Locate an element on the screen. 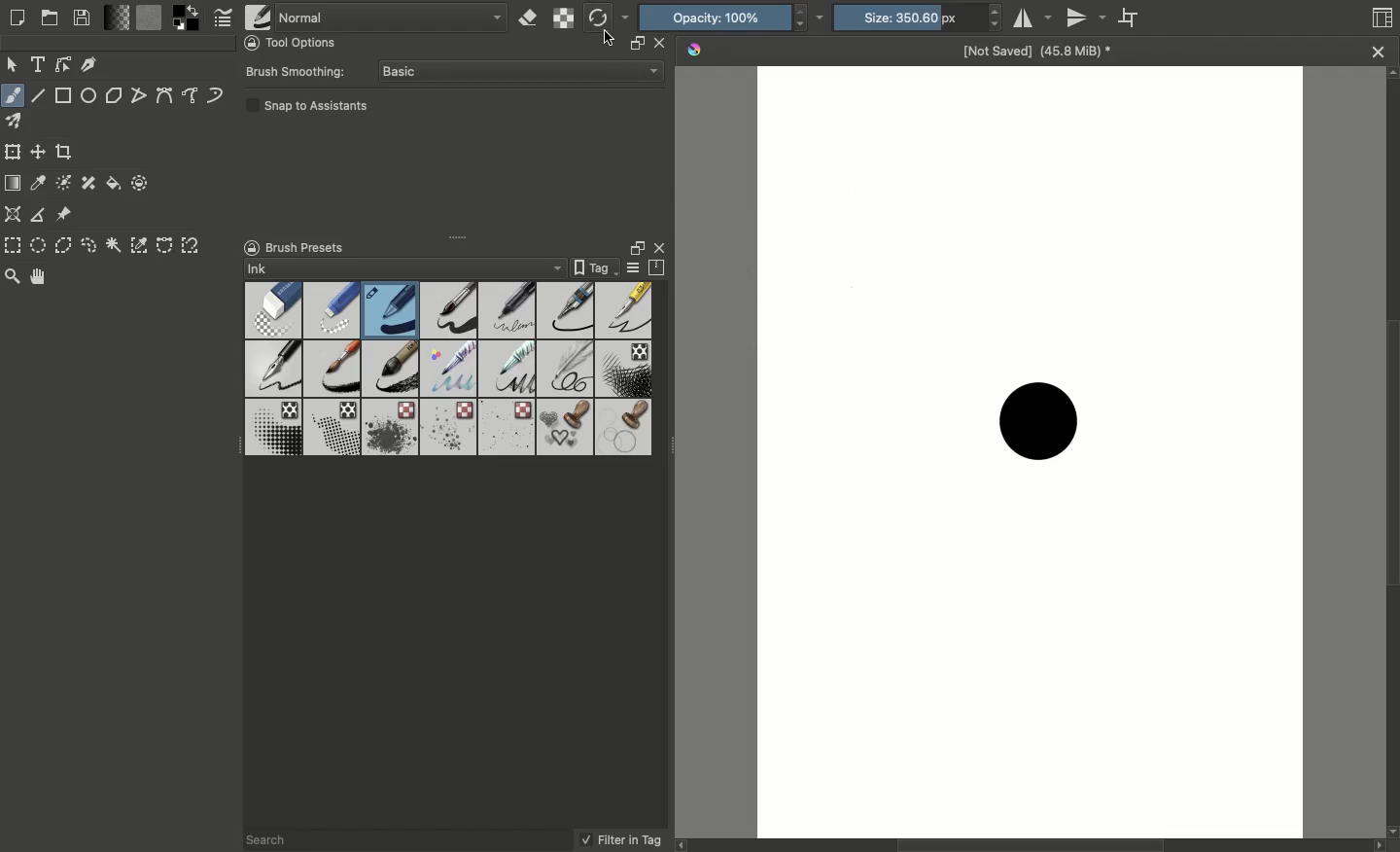 The image size is (1400, 852). Scroll is located at coordinates (1391, 452).